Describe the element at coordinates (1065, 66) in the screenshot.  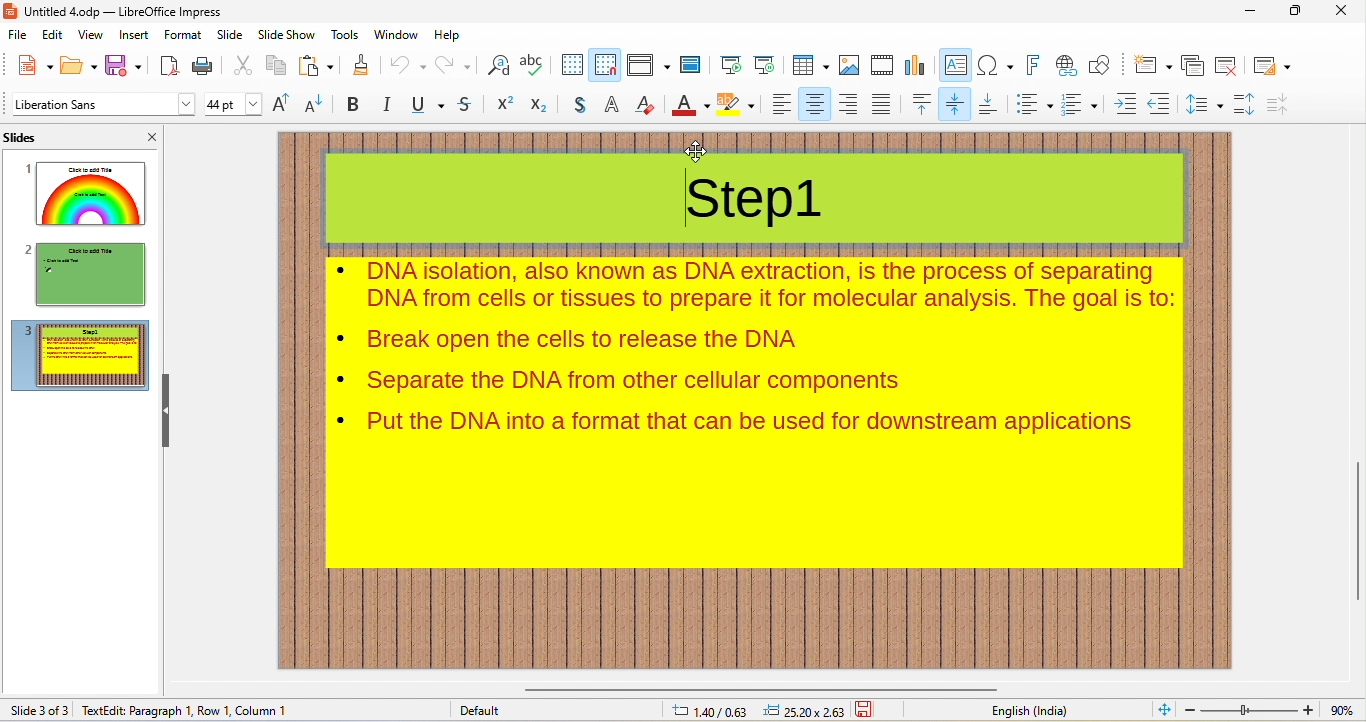
I see `hyperlink` at that location.